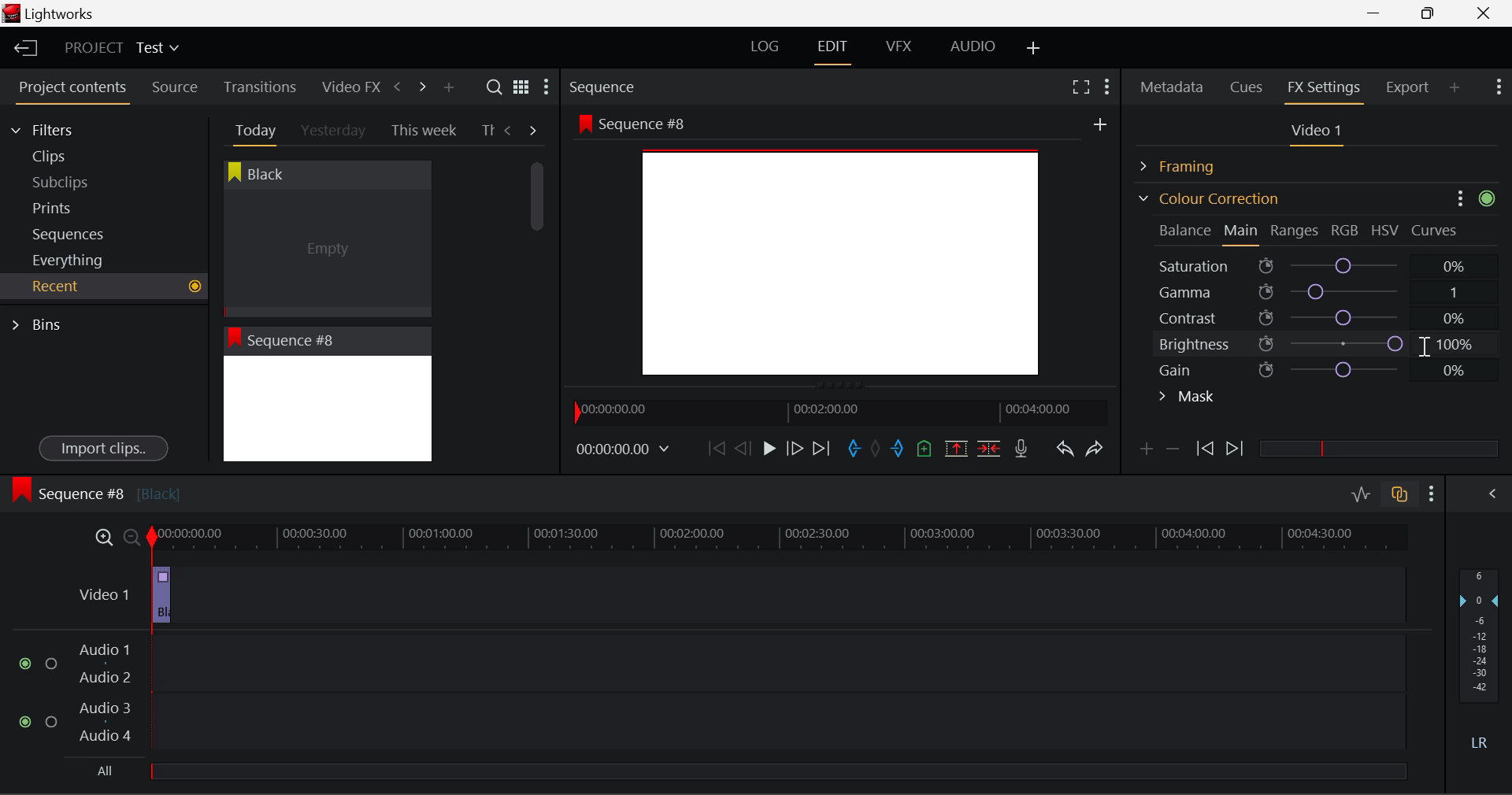  Describe the element at coordinates (767, 449) in the screenshot. I see `Play` at that location.